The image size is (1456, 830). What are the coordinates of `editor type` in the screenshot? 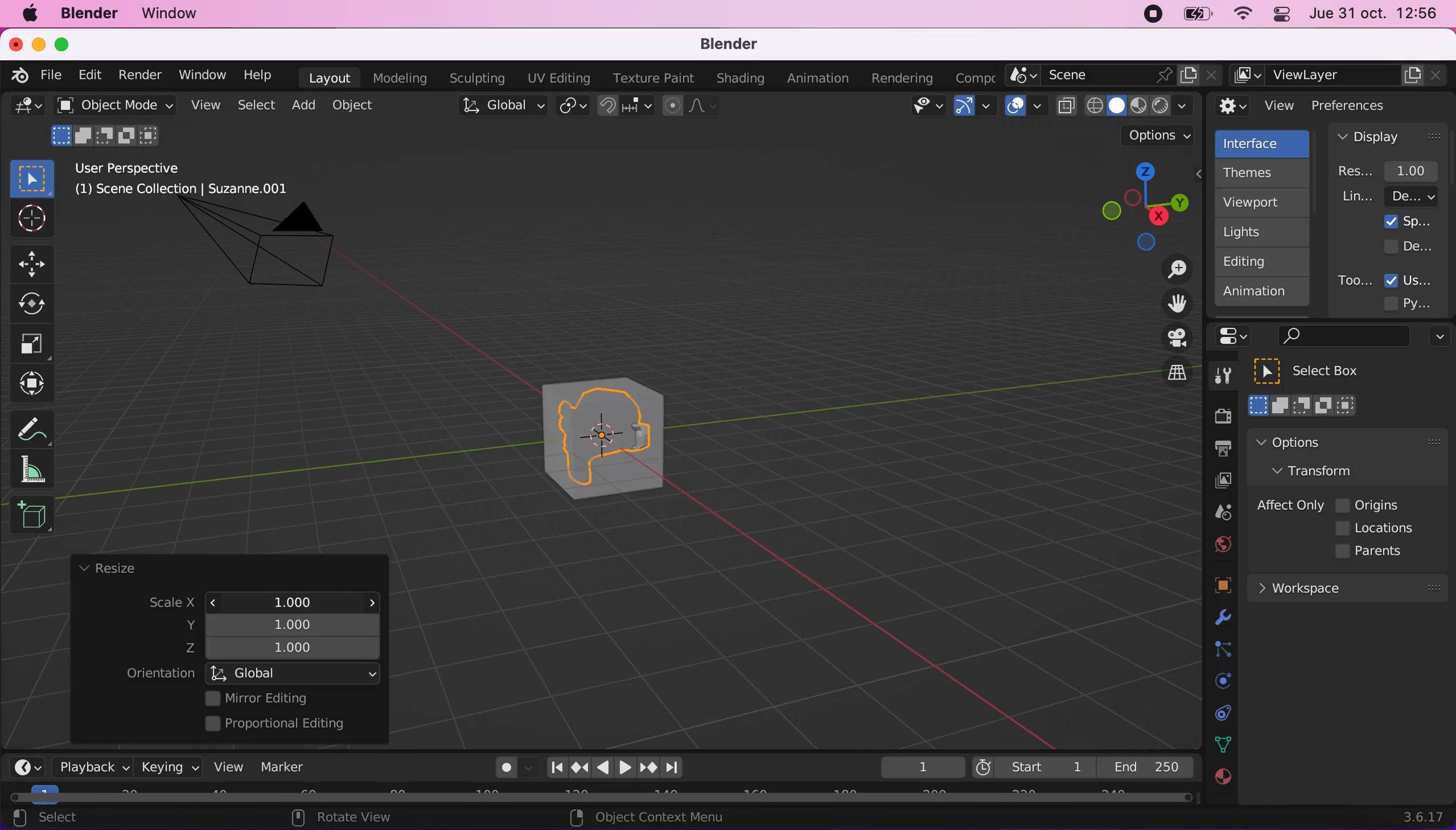 It's located at (23, 758).